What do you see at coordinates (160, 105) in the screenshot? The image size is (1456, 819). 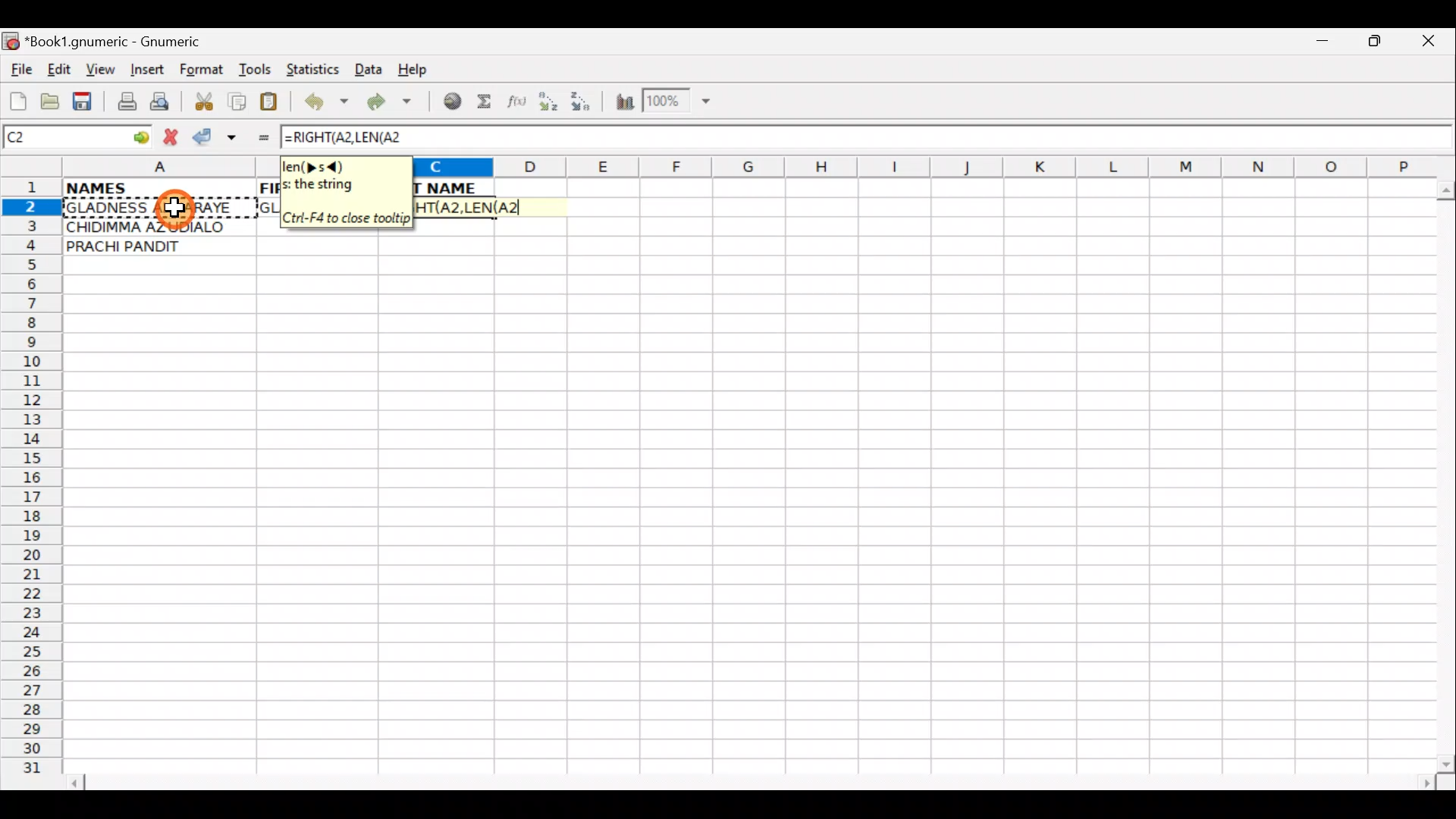 I see `Print preview` at bounding box center [160, 105].